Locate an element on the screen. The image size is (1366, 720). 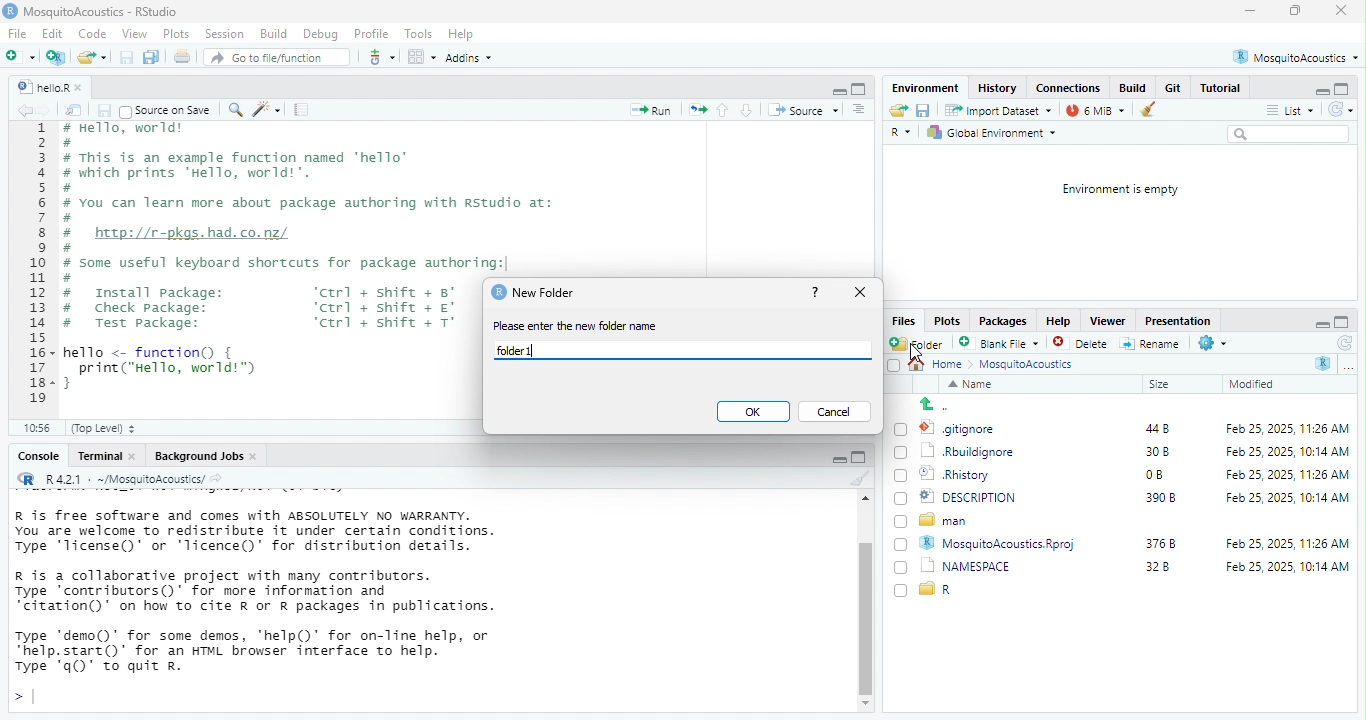
rburgignore is located at coordinates (972, 452).